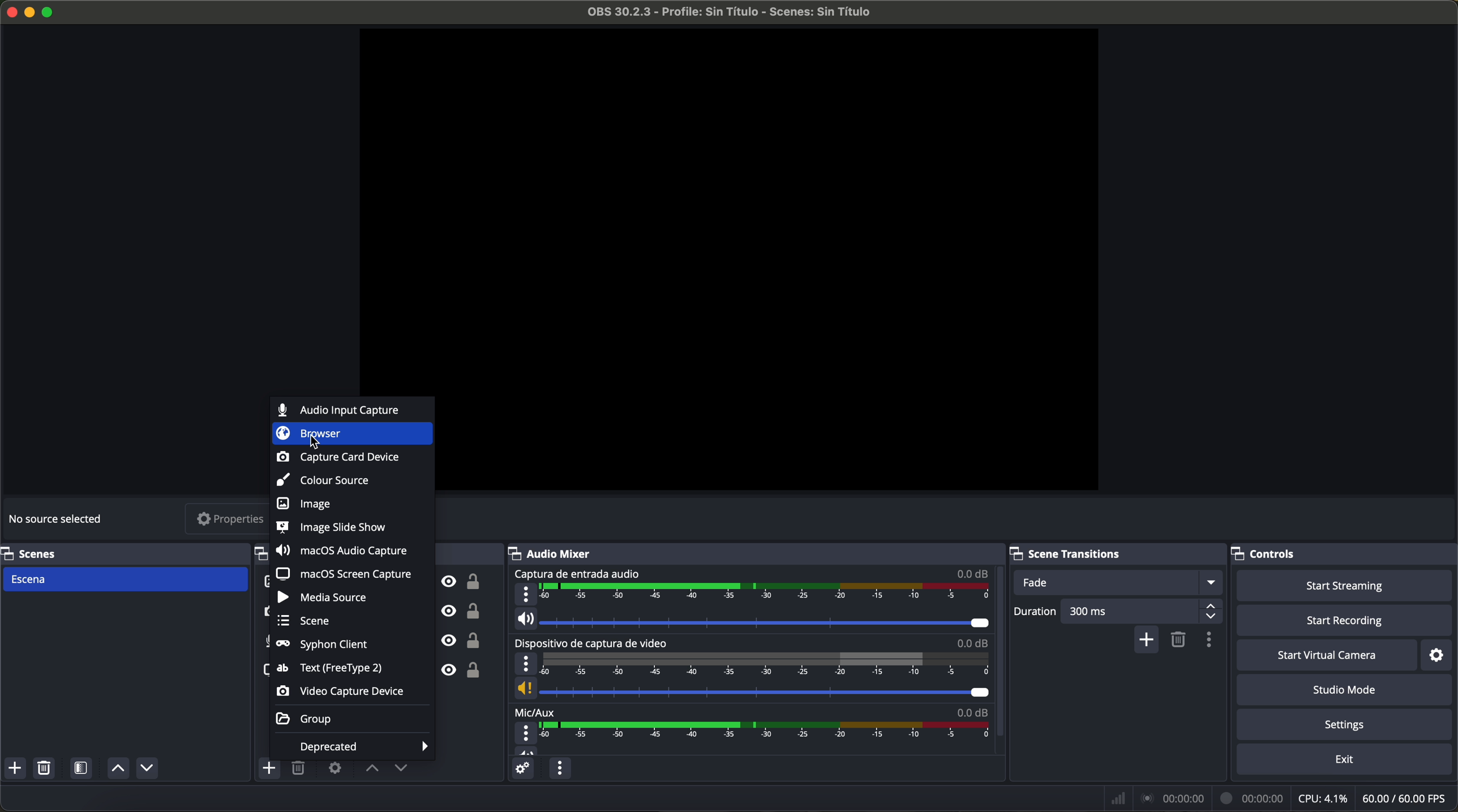 Image resolution: width=1458 pixels, height=812 pixels. What do you see at coordinates (1346, 724) in the screenshot?
I see `settings` at bounding box center [1346, 724].